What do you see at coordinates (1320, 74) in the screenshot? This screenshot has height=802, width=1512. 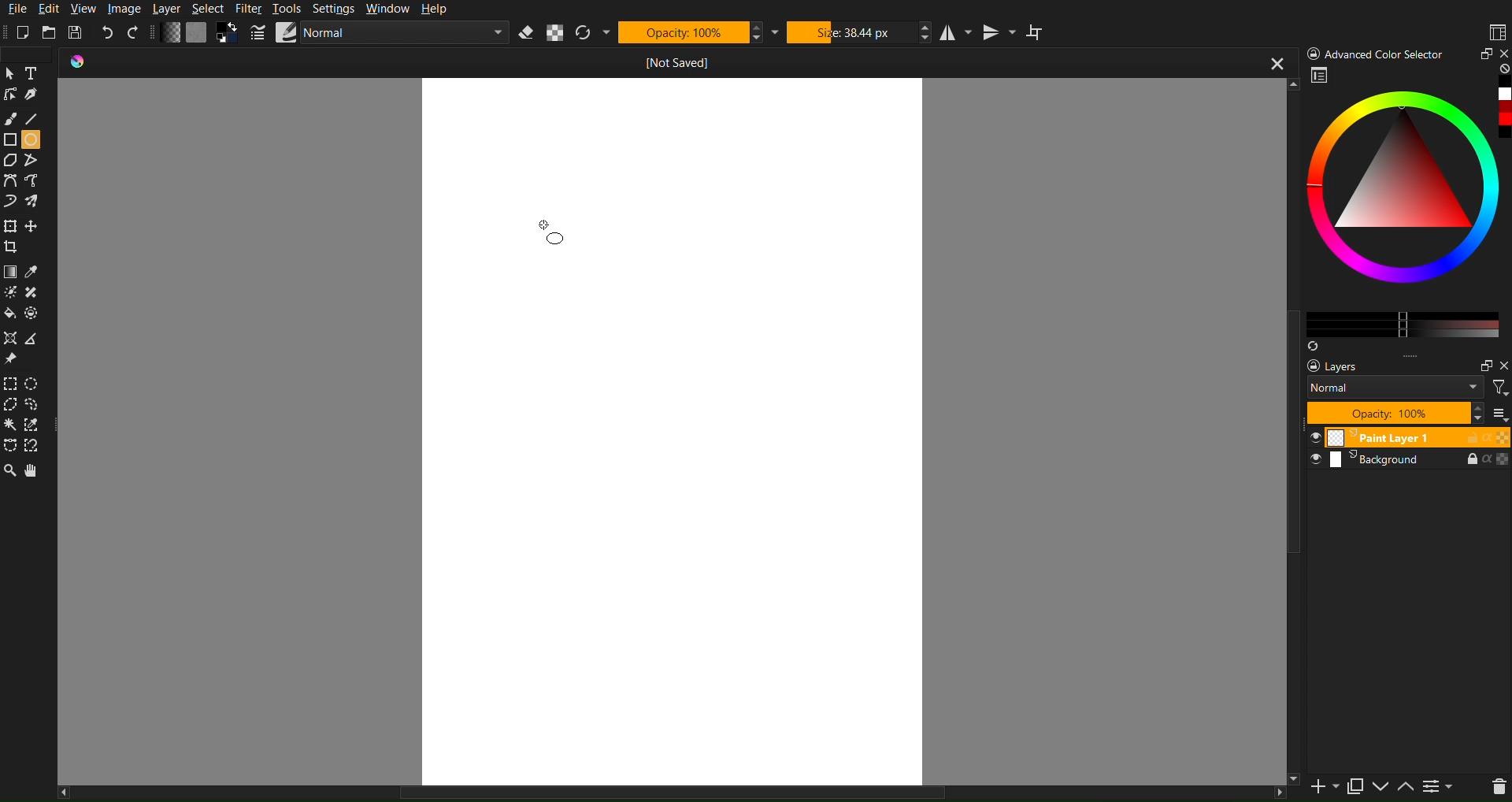 I see `workspace` at bounding box center [1320, 74].